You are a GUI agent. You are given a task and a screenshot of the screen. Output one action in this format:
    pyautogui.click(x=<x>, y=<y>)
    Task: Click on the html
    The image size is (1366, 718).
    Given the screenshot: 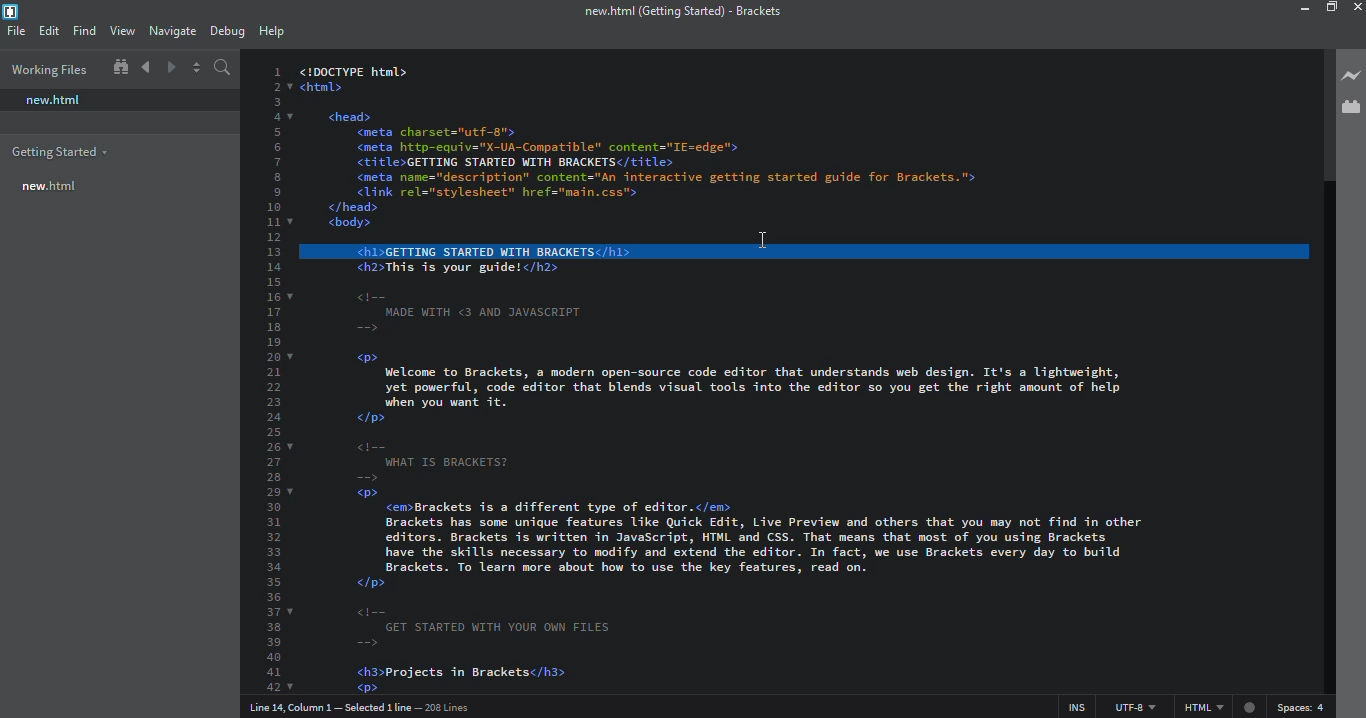 What is the action you would take?
    pyautogui.click(x=1218, y=708)
    